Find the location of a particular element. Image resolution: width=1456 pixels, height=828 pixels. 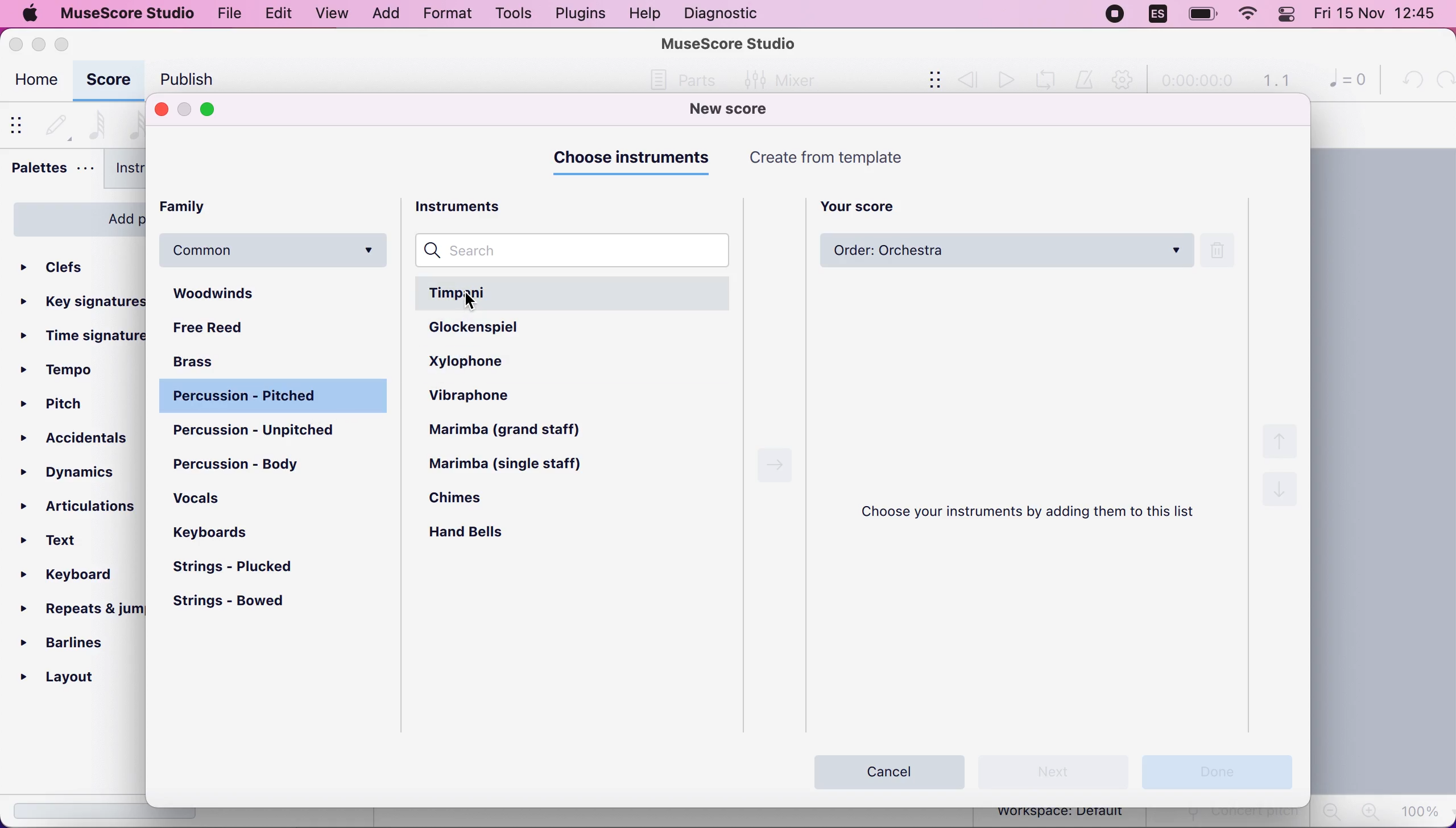

dynamics is located at coordinates (78, 470).